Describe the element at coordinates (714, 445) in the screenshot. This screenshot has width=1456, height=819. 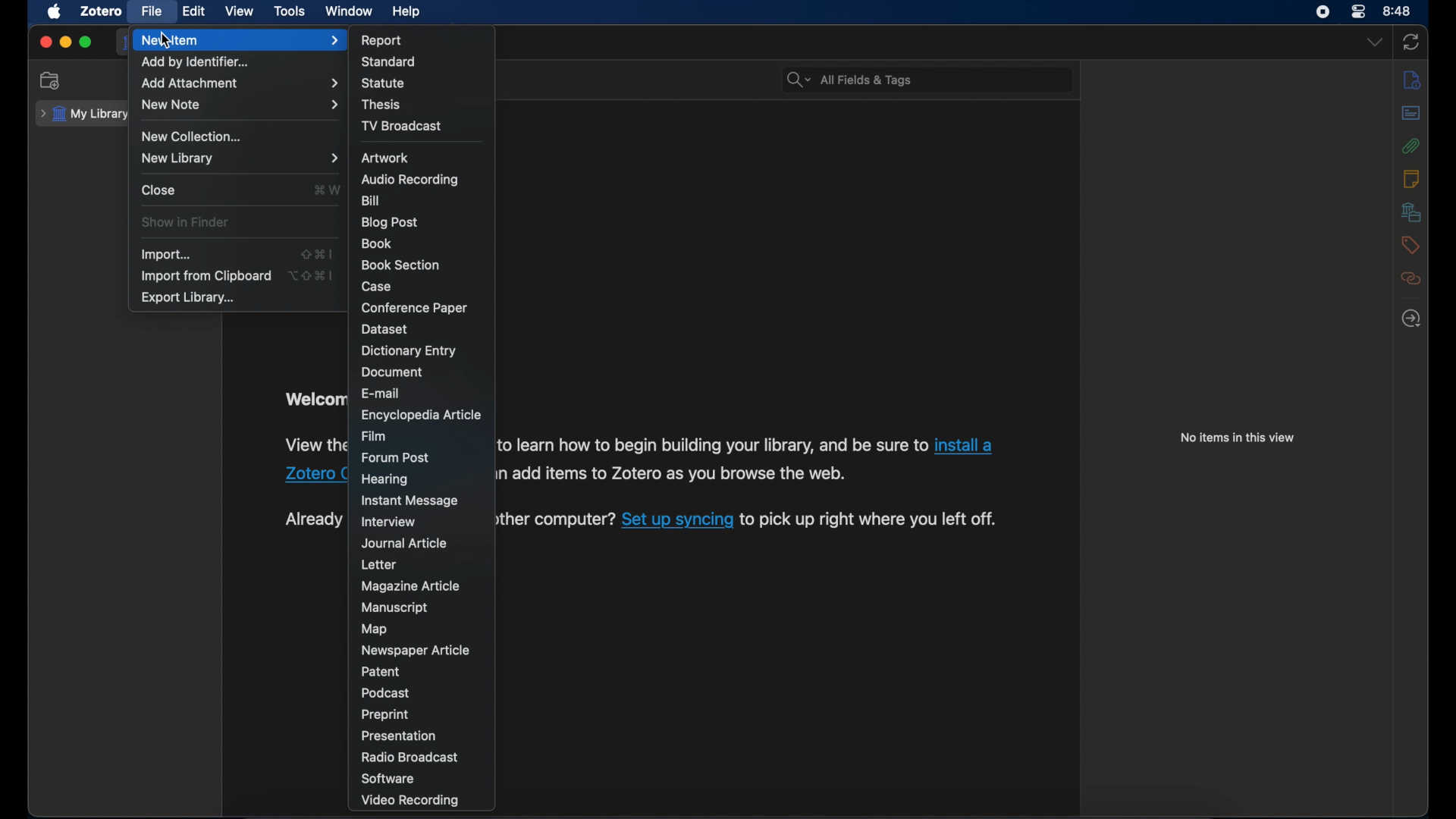
I see `software information` at that location.